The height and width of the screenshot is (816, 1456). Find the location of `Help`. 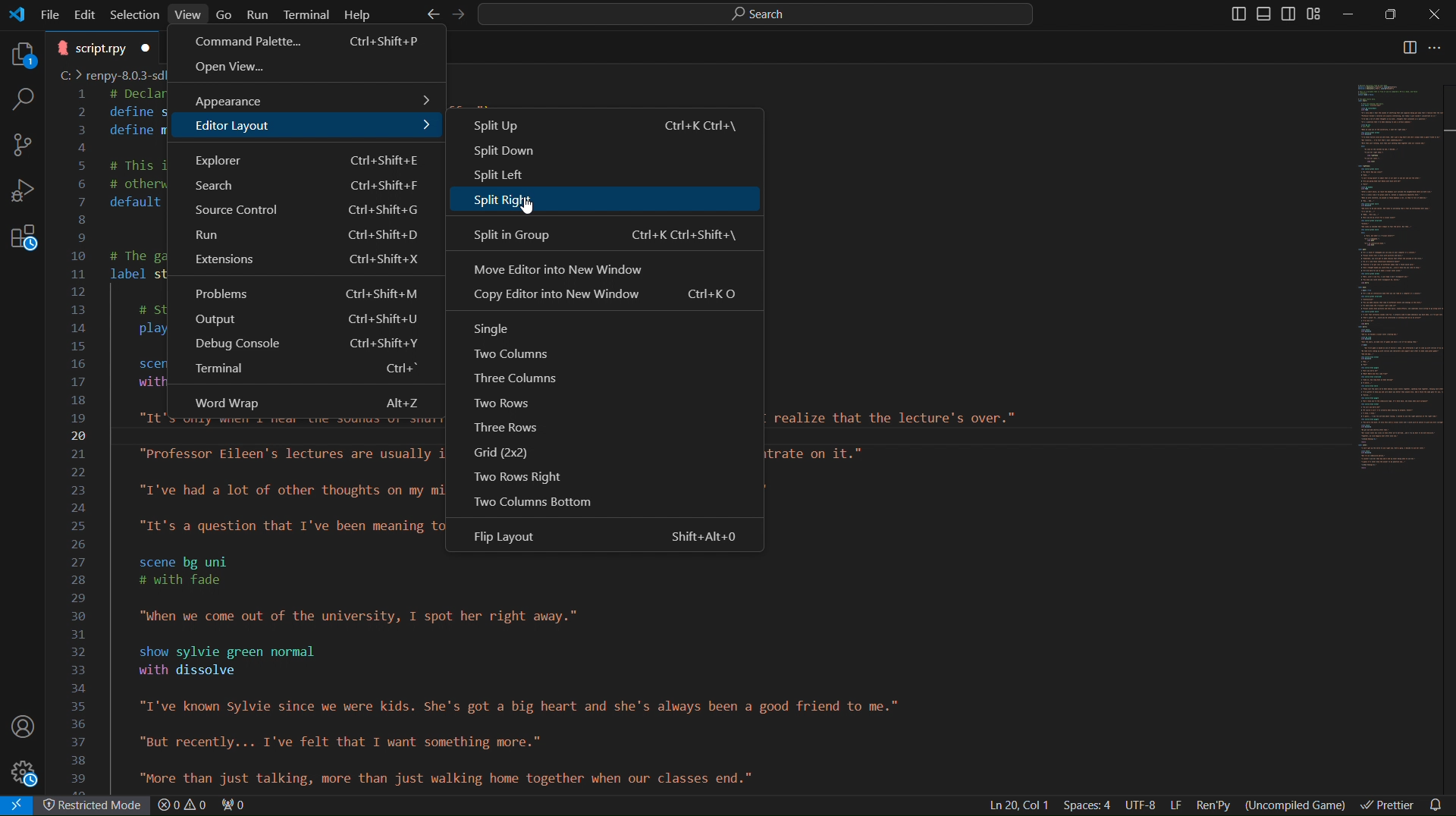

Help is located at coordinates (357, 14).